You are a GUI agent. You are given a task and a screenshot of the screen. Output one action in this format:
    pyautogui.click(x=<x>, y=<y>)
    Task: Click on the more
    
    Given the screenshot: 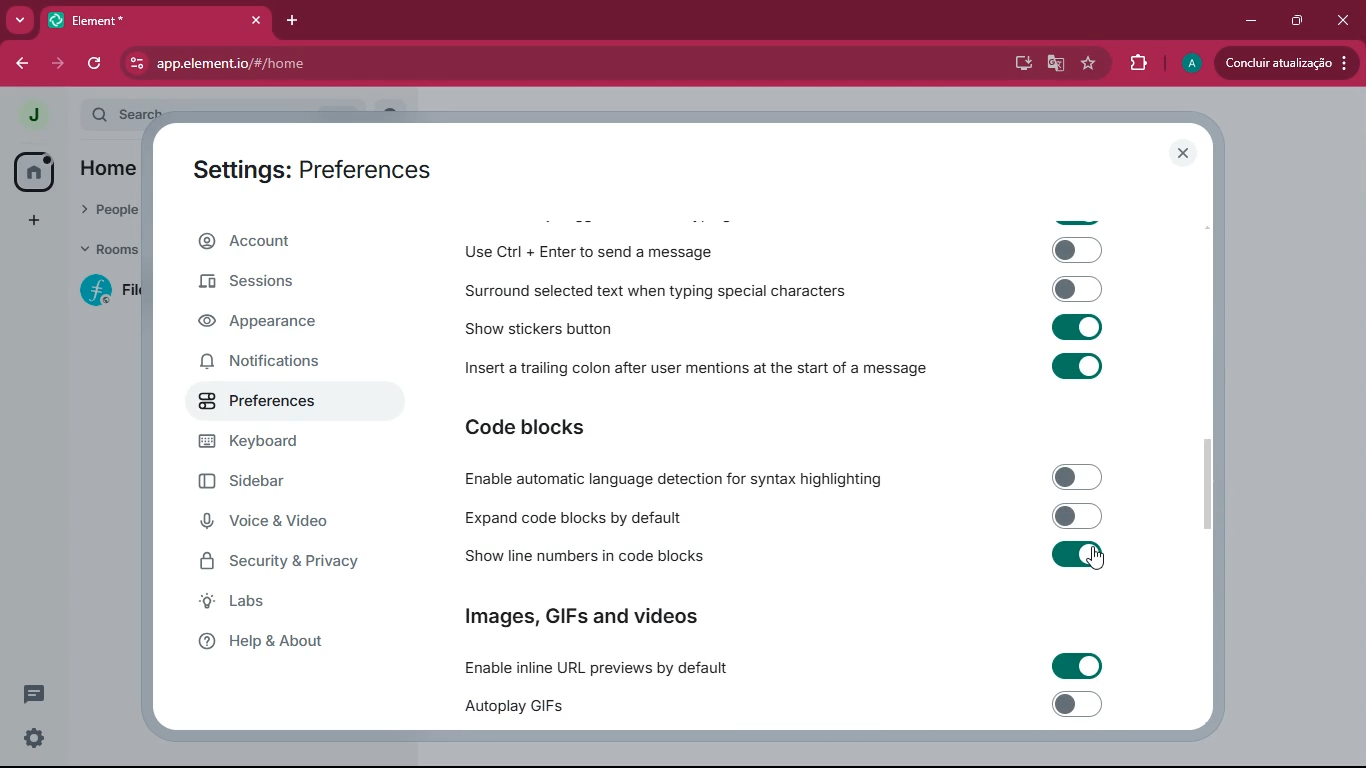 What is the action you would take?
    pyautogui.click(x=34, y=222)
    